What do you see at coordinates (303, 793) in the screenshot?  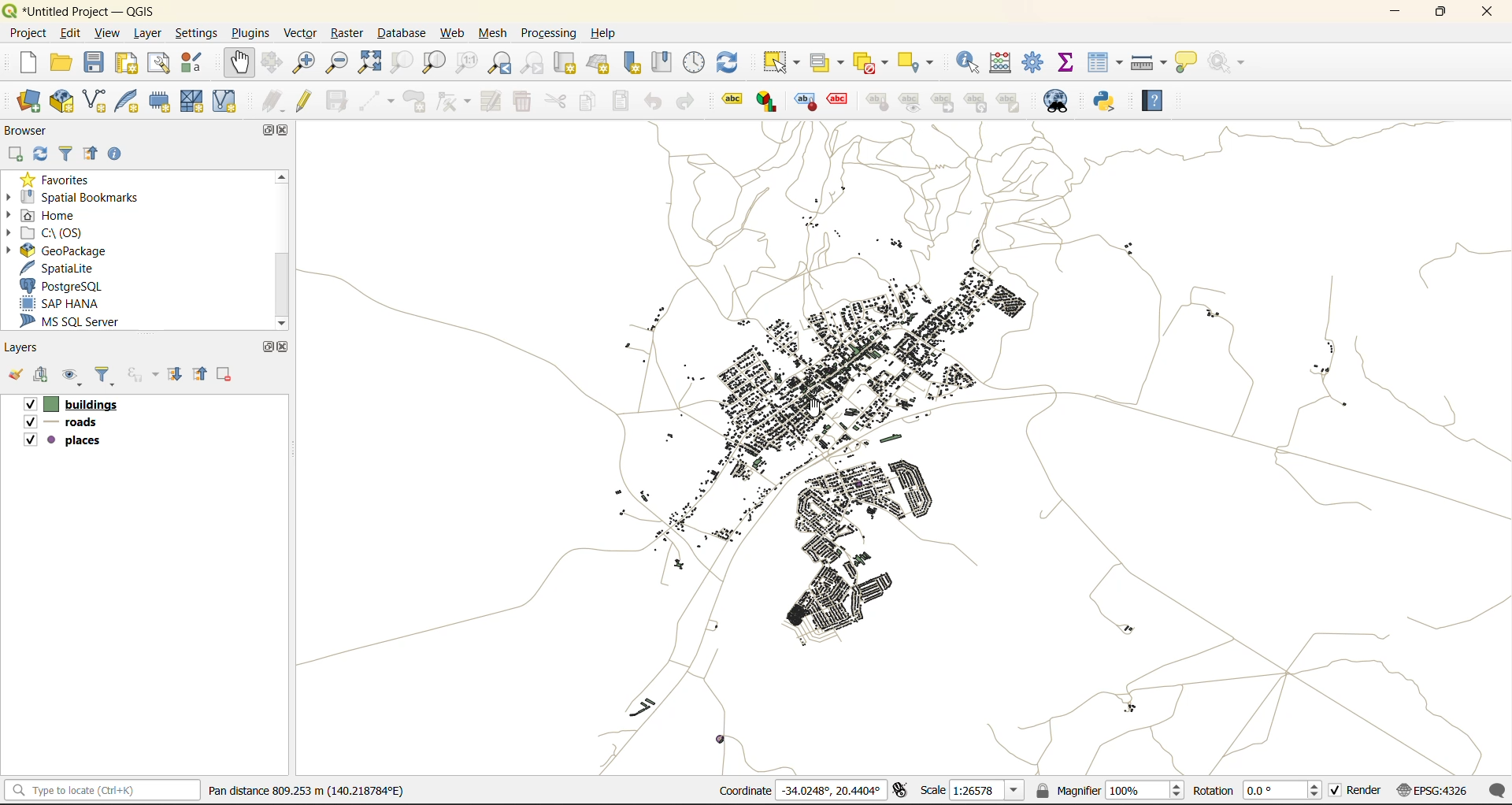 I see `metadata` at bounding box center [303, 793].